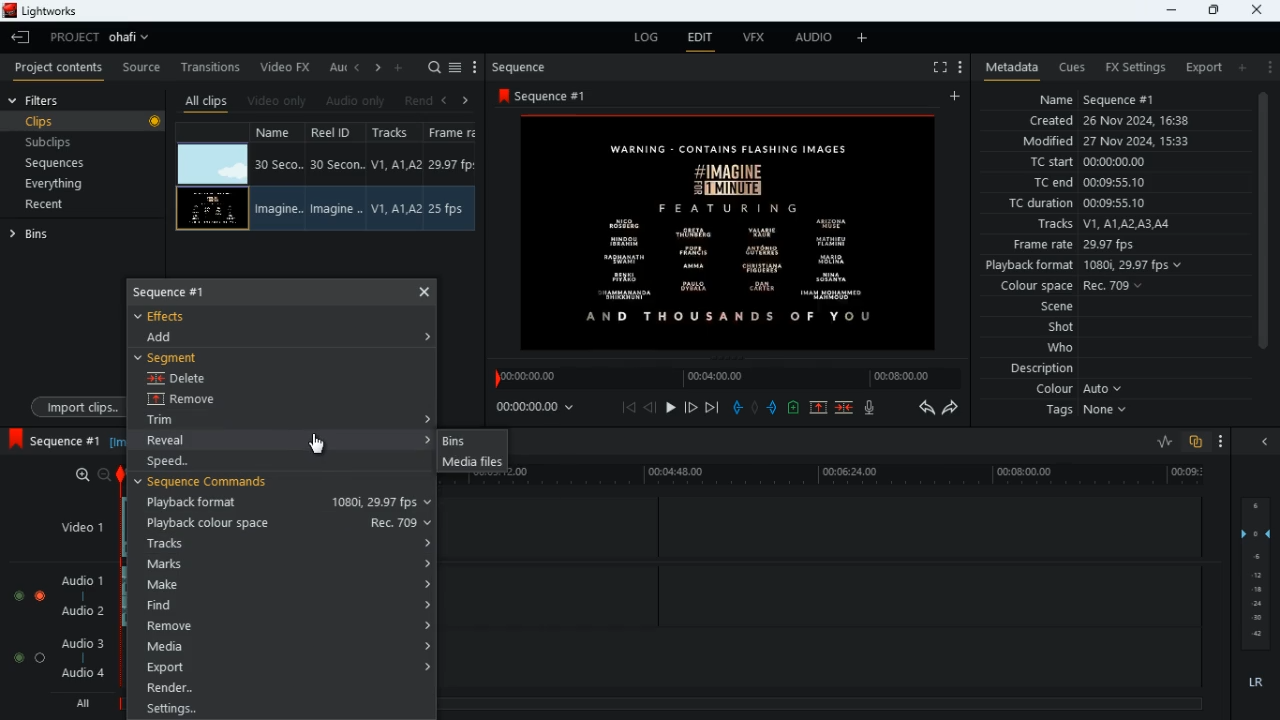 The height and width of the screenshot is (720, 1280). I want to click on Accordion, so click(430, 417).